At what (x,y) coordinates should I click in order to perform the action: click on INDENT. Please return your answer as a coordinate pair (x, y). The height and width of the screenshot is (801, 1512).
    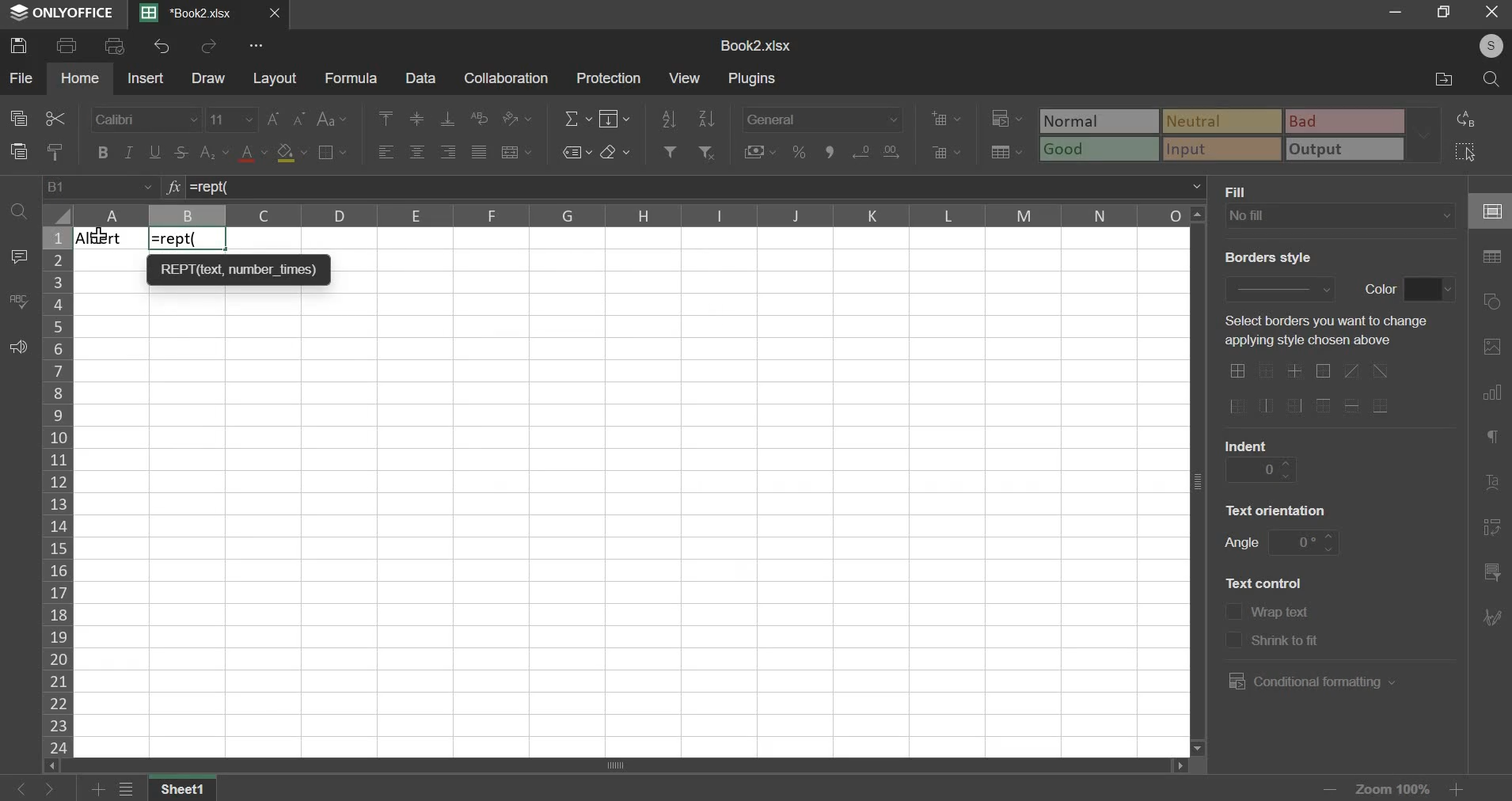
    Looking at the image, I should click on (1249, 443).